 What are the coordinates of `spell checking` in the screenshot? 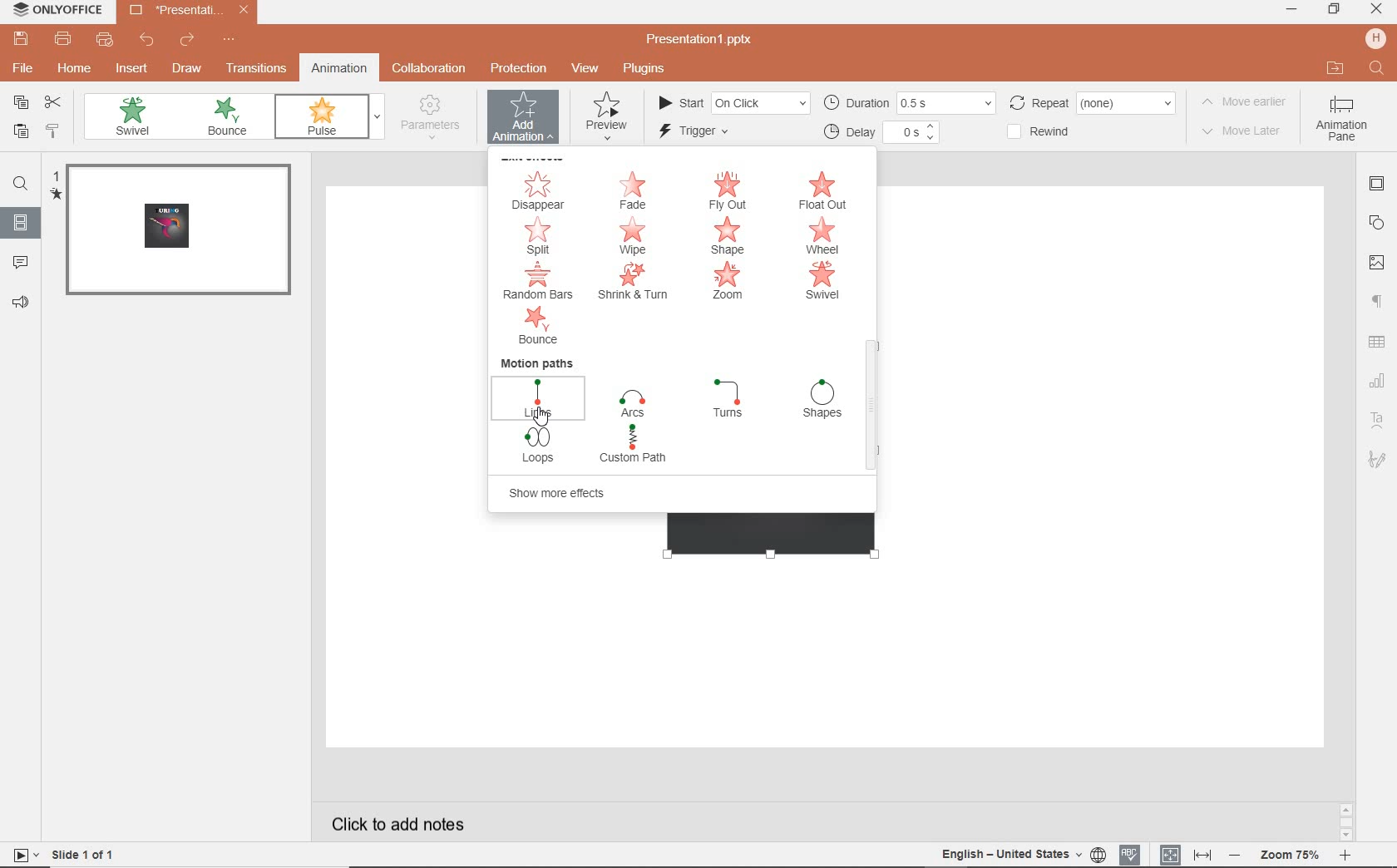 It's located at (1130, 855).